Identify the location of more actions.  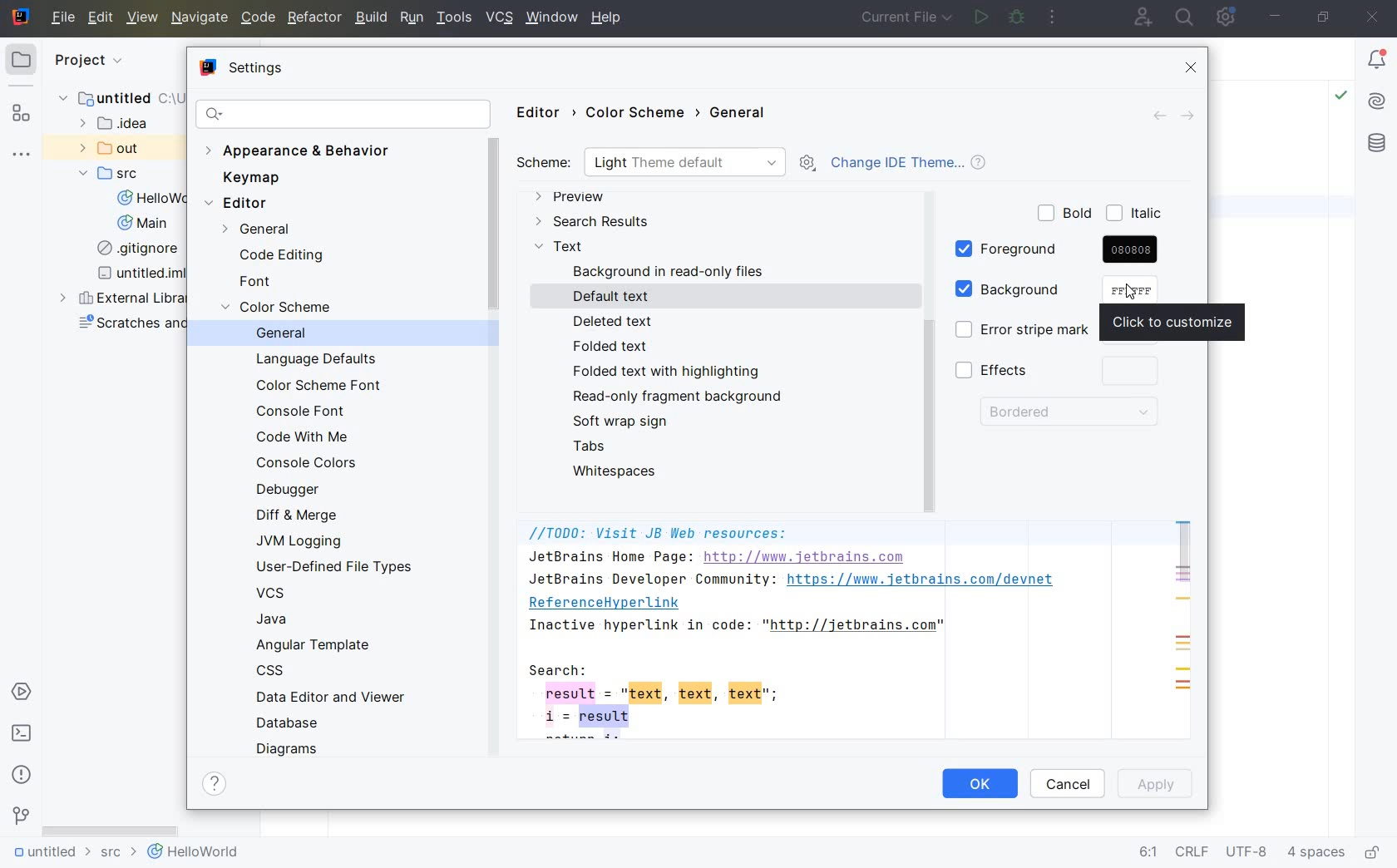
(1054, 16).